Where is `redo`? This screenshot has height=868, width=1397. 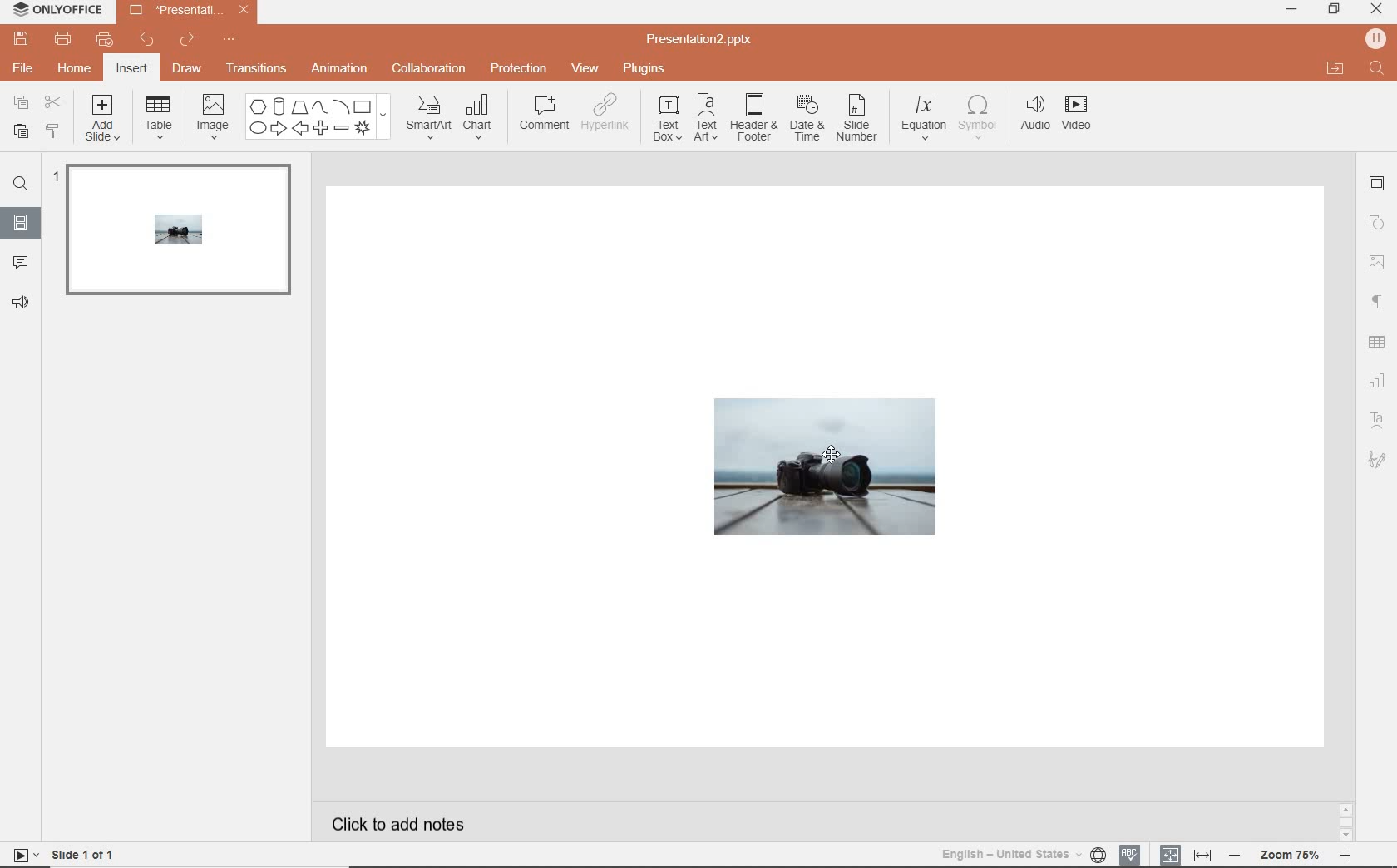 redo is located at coordinates (189, 42).